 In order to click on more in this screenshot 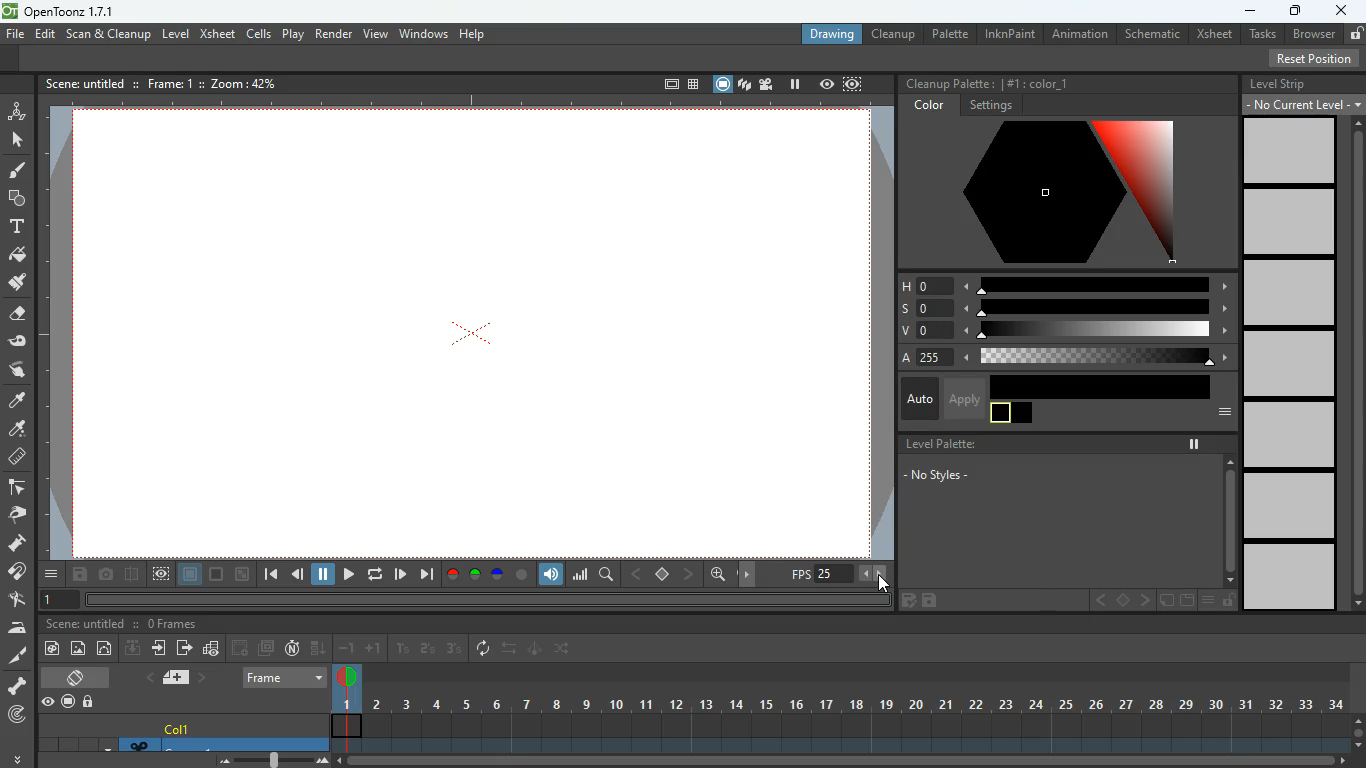, I will do `click(1217, 413)`.